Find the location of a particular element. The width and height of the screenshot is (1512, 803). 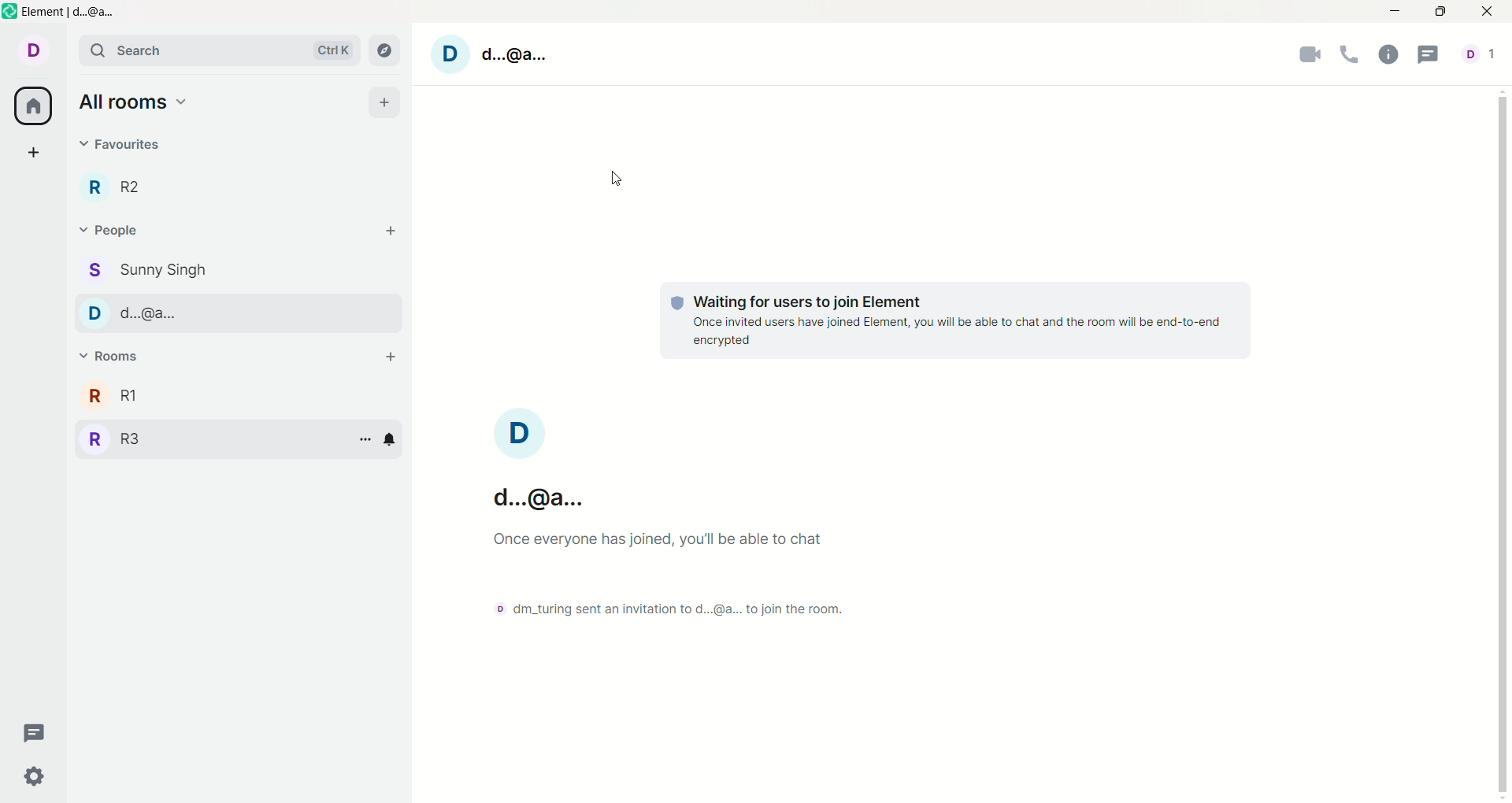

threads is located at coordinates (1431, 57).